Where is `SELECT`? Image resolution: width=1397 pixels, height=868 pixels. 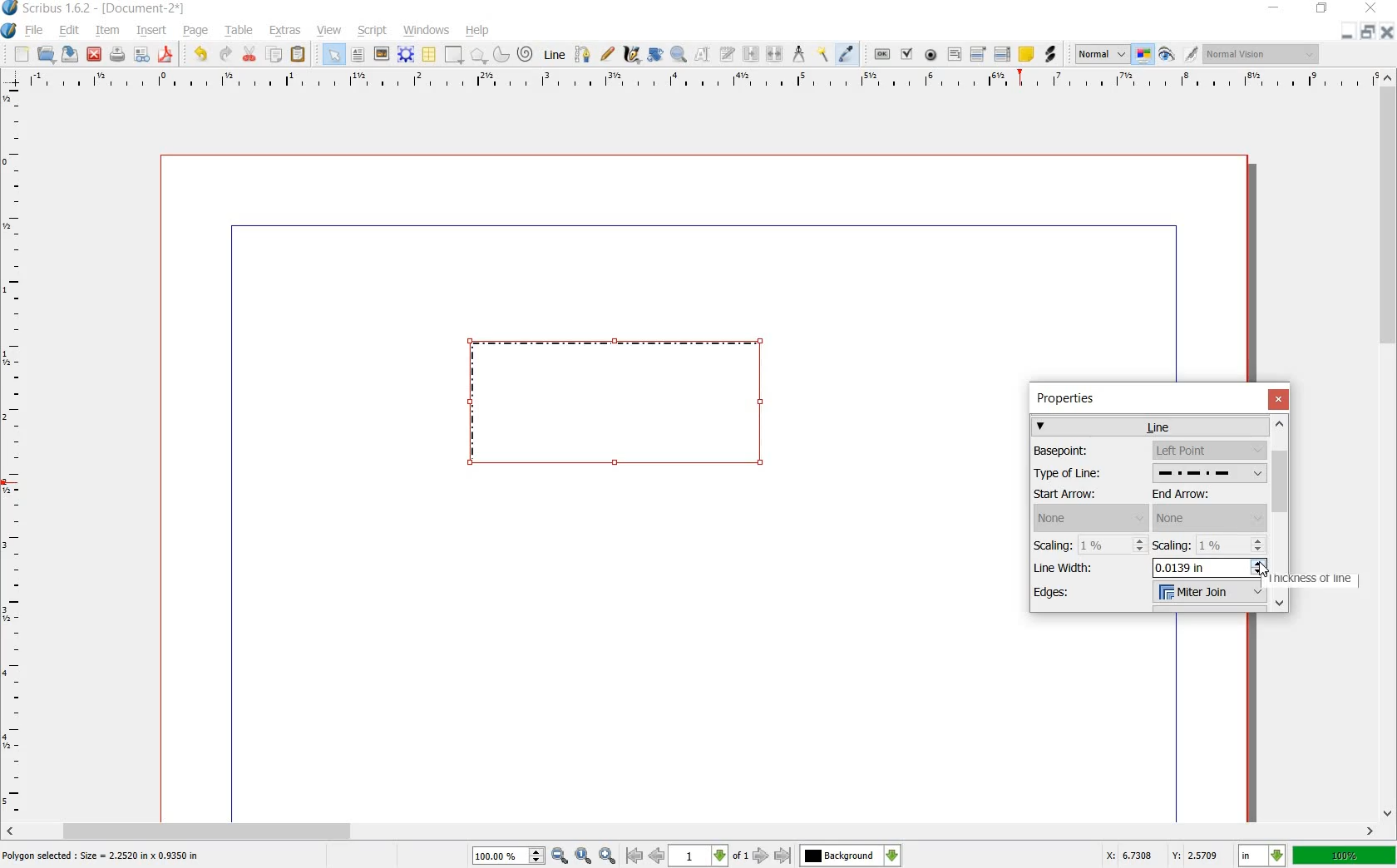
SELECT is located at coordinates (334, 56).